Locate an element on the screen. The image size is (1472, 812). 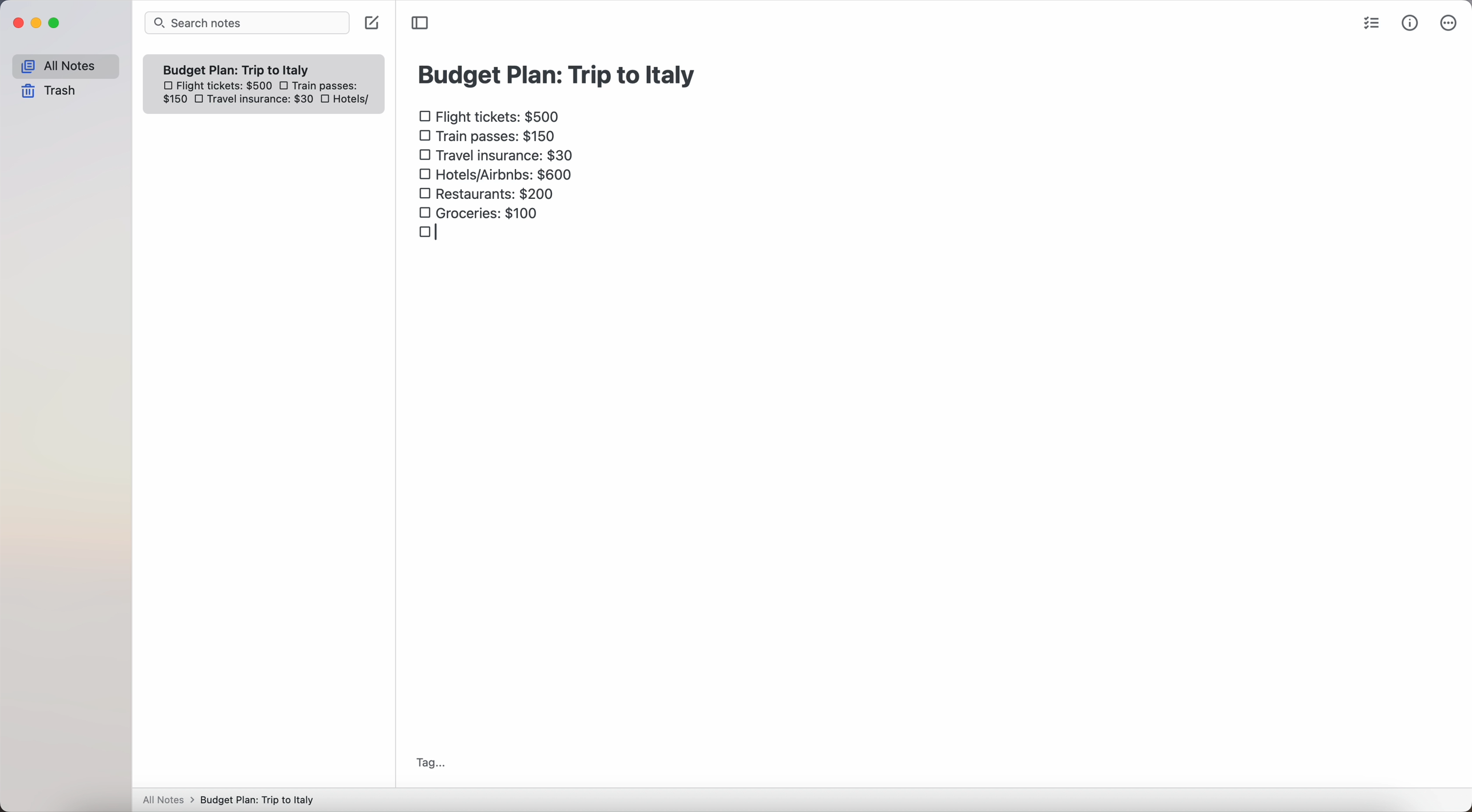
All notes > Budget Plan: Trip to Italy is located at coordinates (234, 799).